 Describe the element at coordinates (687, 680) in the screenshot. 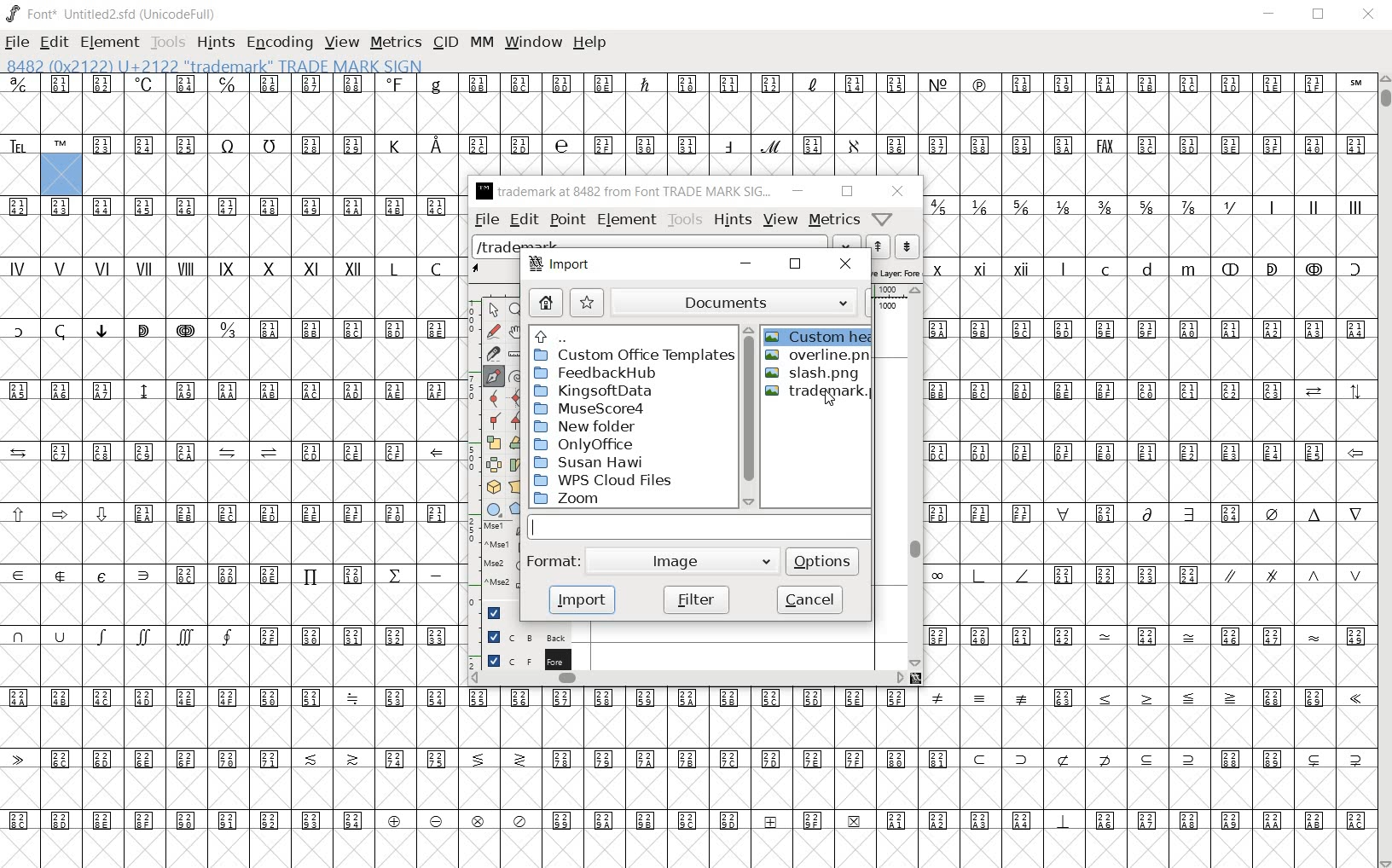

I see `scrollbar` at that location.